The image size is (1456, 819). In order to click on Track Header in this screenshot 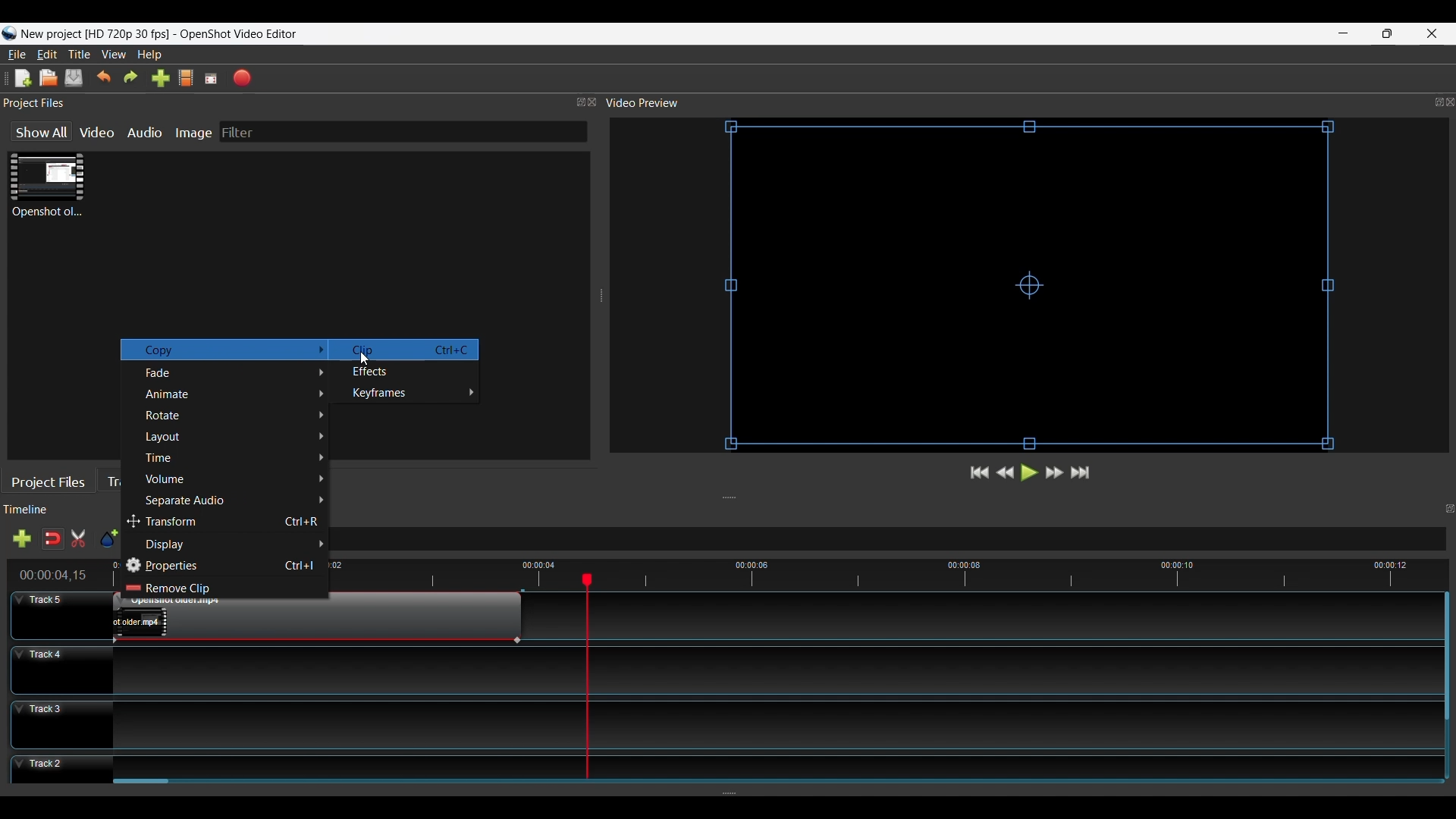, I will do `click(61, 771)`.